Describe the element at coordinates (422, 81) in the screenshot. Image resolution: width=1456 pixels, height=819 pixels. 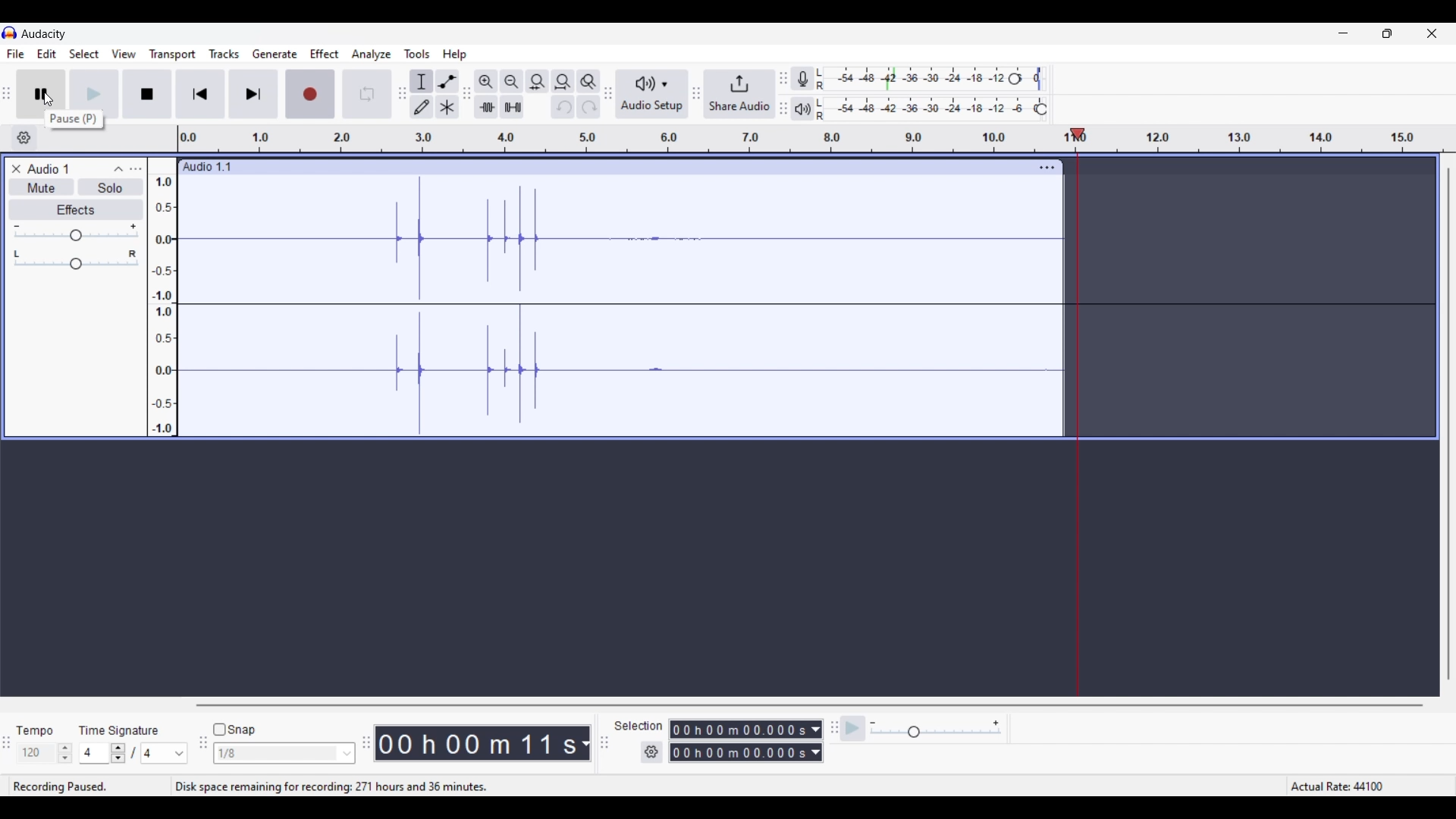
I see `Selection tool` at that location.